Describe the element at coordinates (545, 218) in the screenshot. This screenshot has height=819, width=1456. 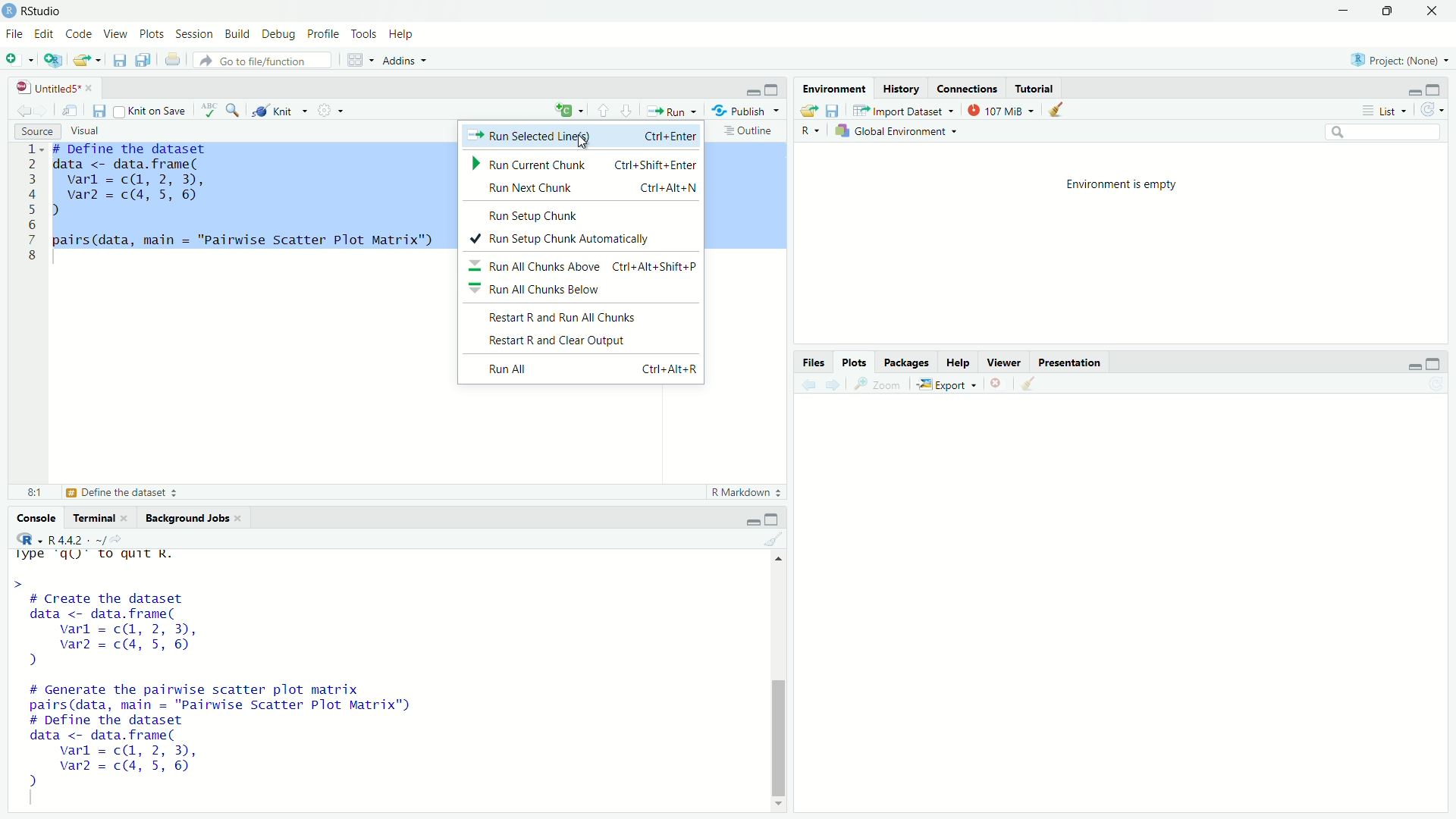
I see `Run Setup Chunk` at that location.